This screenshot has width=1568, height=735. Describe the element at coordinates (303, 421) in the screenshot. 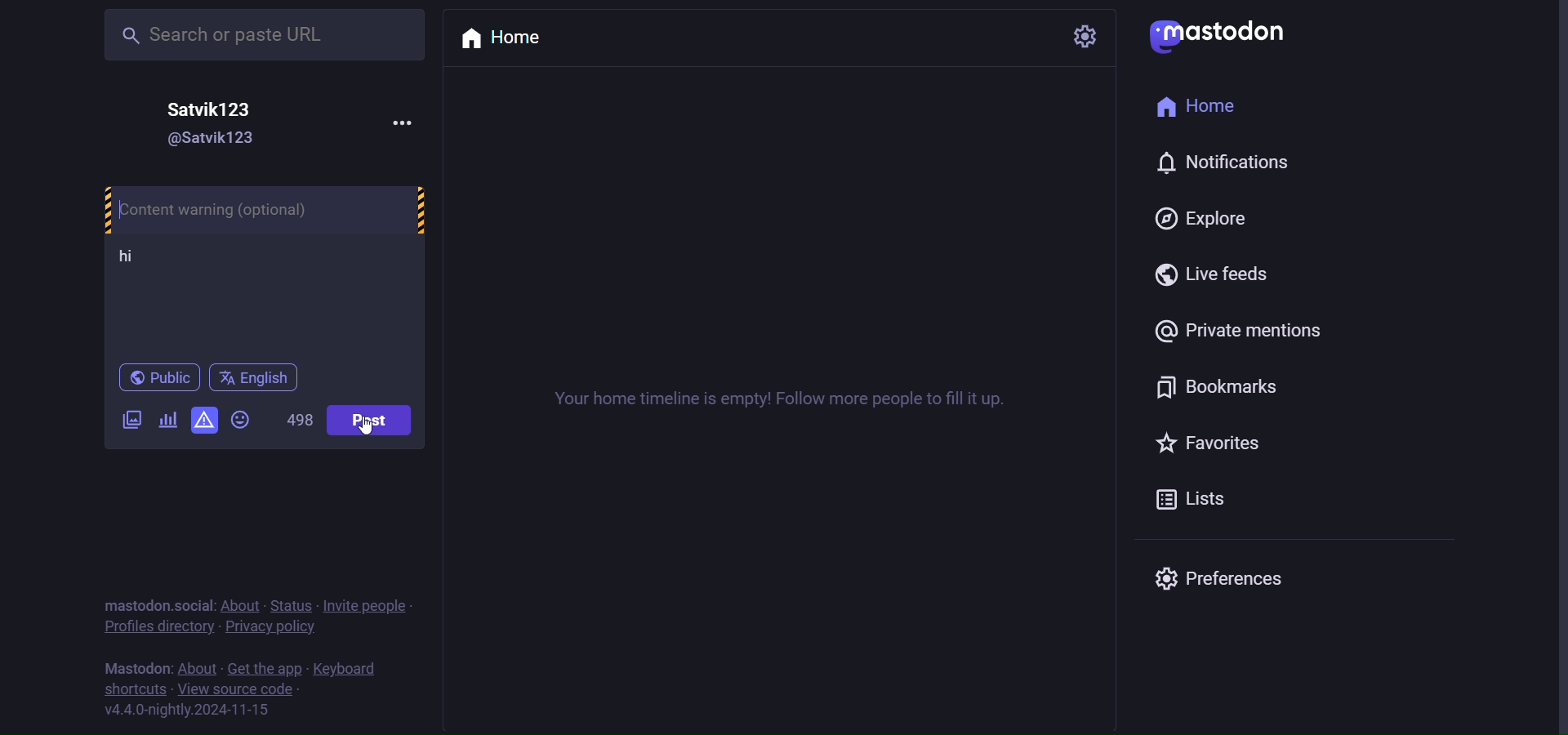

I see `word limit` at that location.